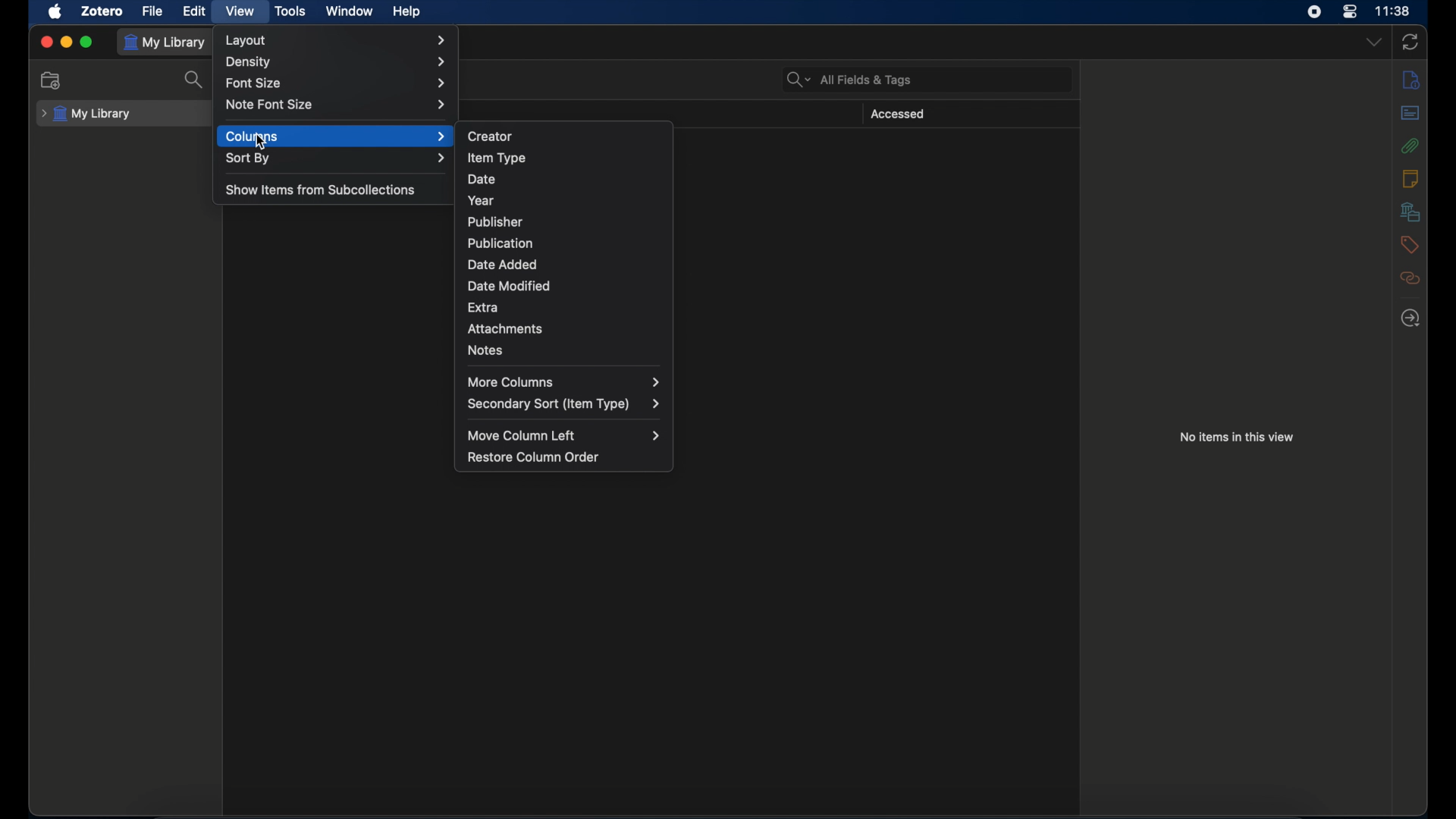  I want to click on maximize, so click(86, 42).